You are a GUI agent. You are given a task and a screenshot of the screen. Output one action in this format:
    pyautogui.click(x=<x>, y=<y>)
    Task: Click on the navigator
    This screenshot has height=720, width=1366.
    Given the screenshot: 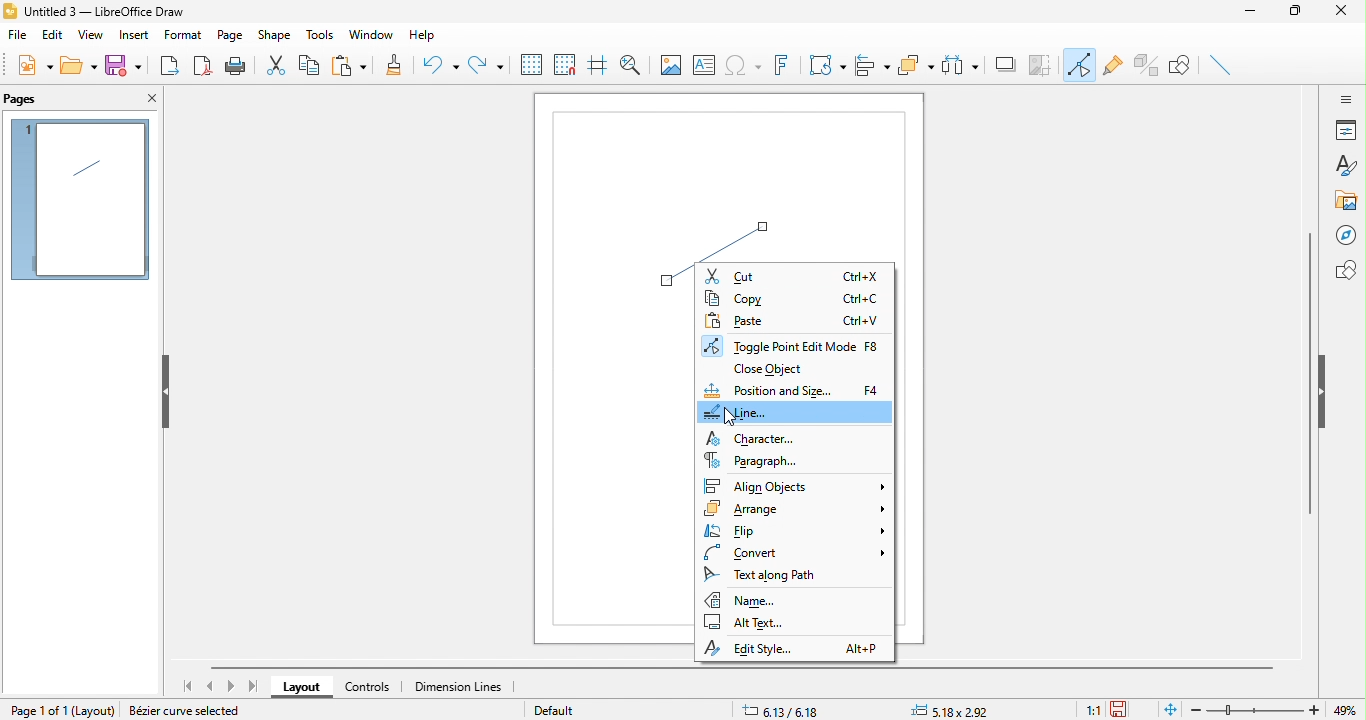 What is the action you would take?
    pyautogui.click(x=1345, y=235)
    